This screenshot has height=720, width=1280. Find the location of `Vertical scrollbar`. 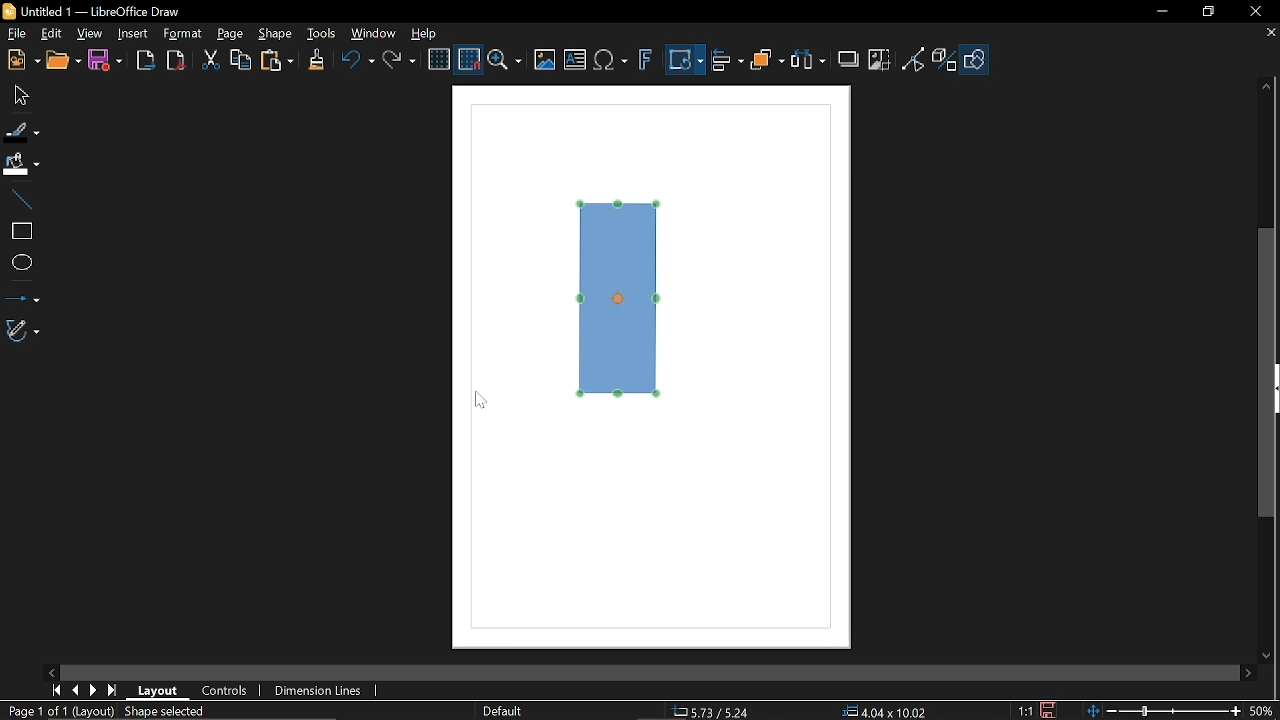

Vertical scrollbar is located at coordinates (1267, 372).